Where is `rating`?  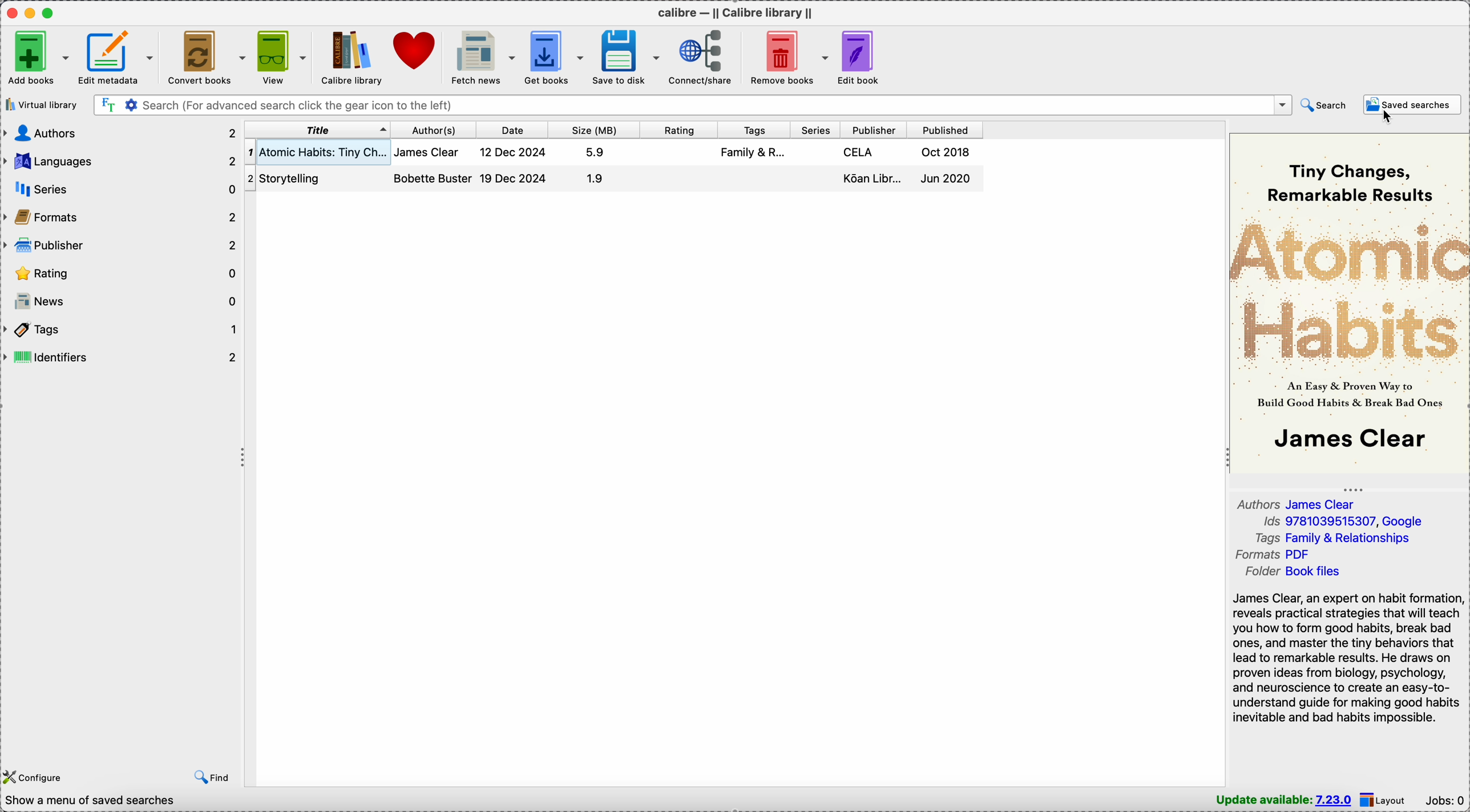 rating is located at coordinates (677, 130).